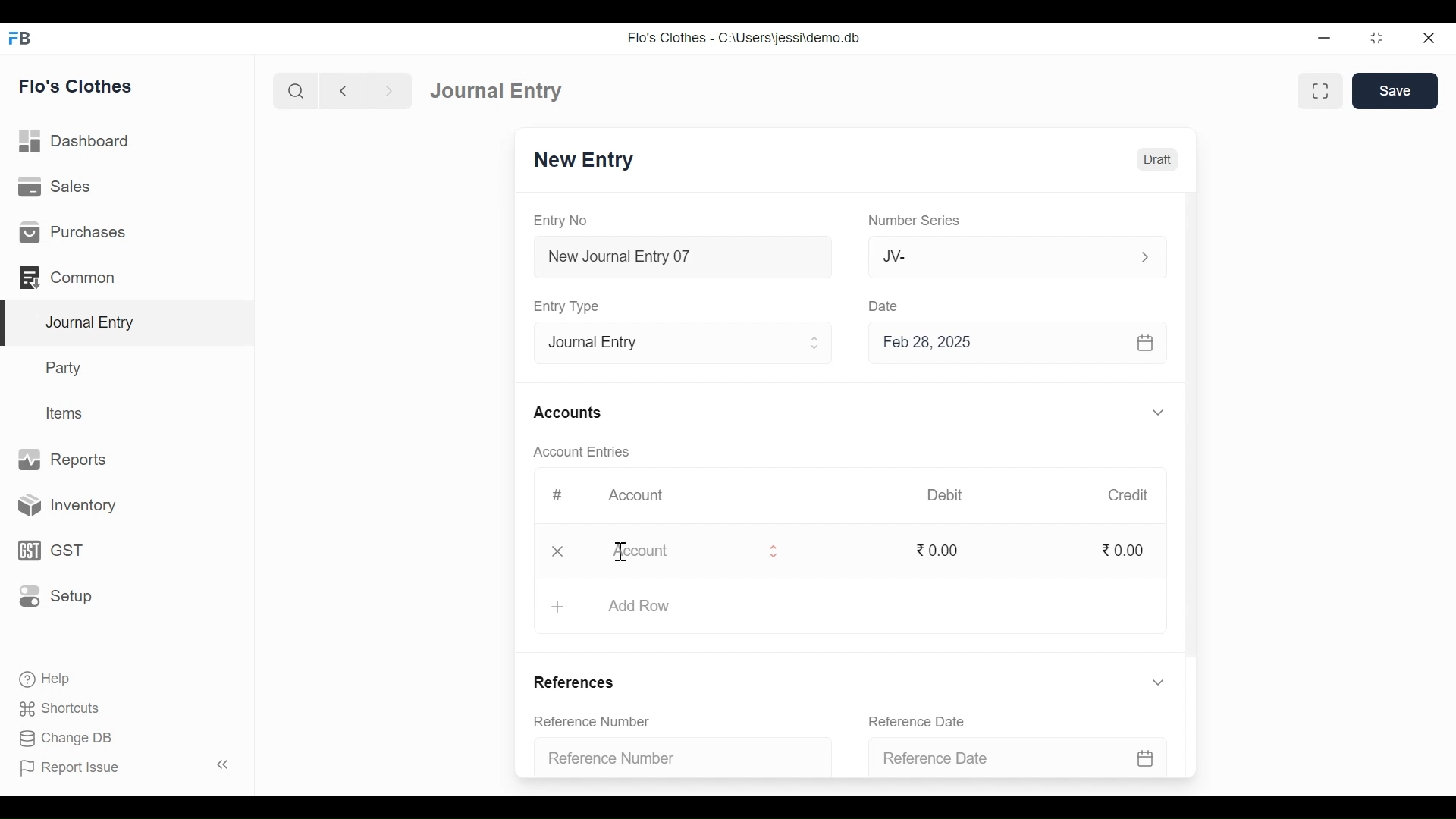 This screenshot has width=1456, height=819. Describe the element at coordinates (633, 607) in the screenshot. I see `+ Add Row` at that location.